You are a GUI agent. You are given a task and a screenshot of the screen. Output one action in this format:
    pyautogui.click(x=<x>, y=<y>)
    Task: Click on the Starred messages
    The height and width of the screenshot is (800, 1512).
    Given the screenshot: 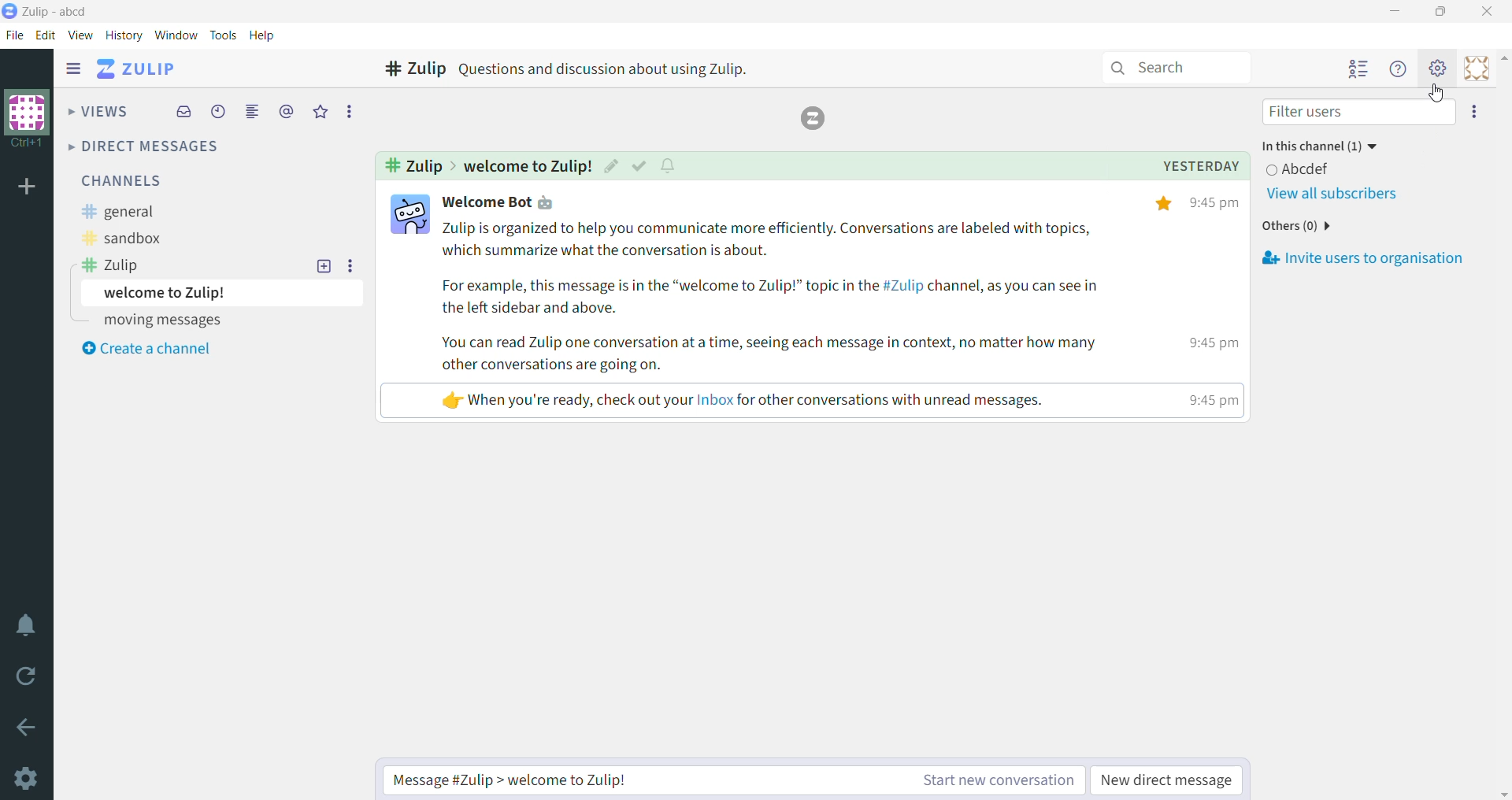 What is the action you would take?
    pyautogui.click(x=322, y=111)
    